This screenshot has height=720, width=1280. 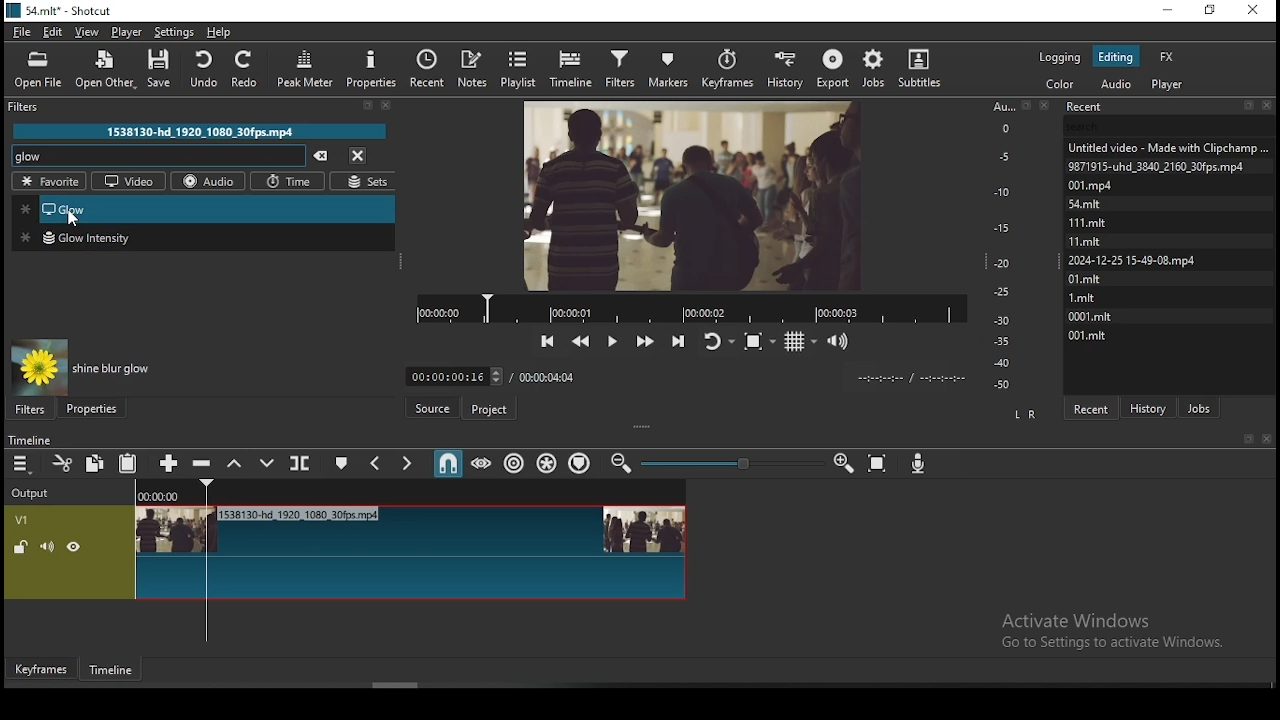 I want to click on edit, so click(x=54, y=33).